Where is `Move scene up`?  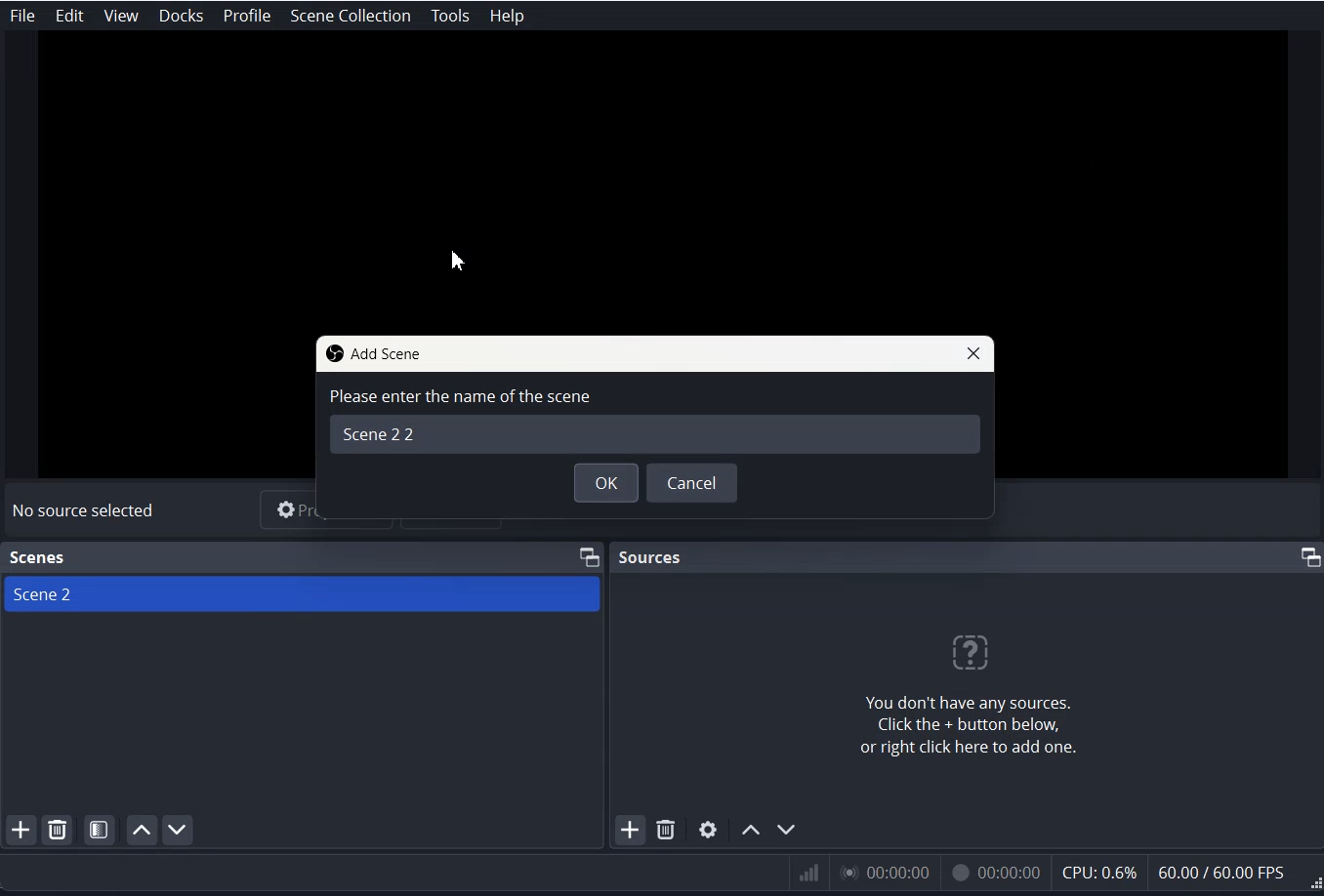
Move scene up is located at coordinates (140, 830).